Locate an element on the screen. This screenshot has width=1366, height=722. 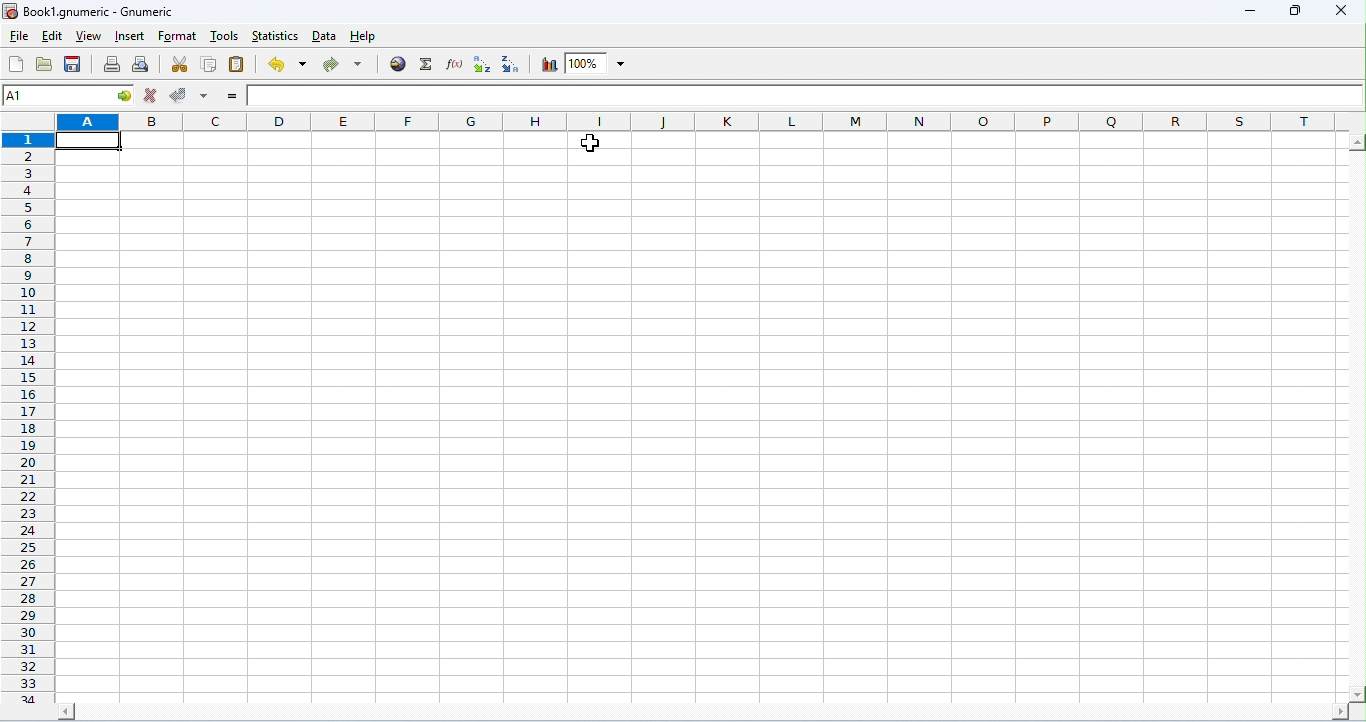
cursor is located at coordinates (589, 144).